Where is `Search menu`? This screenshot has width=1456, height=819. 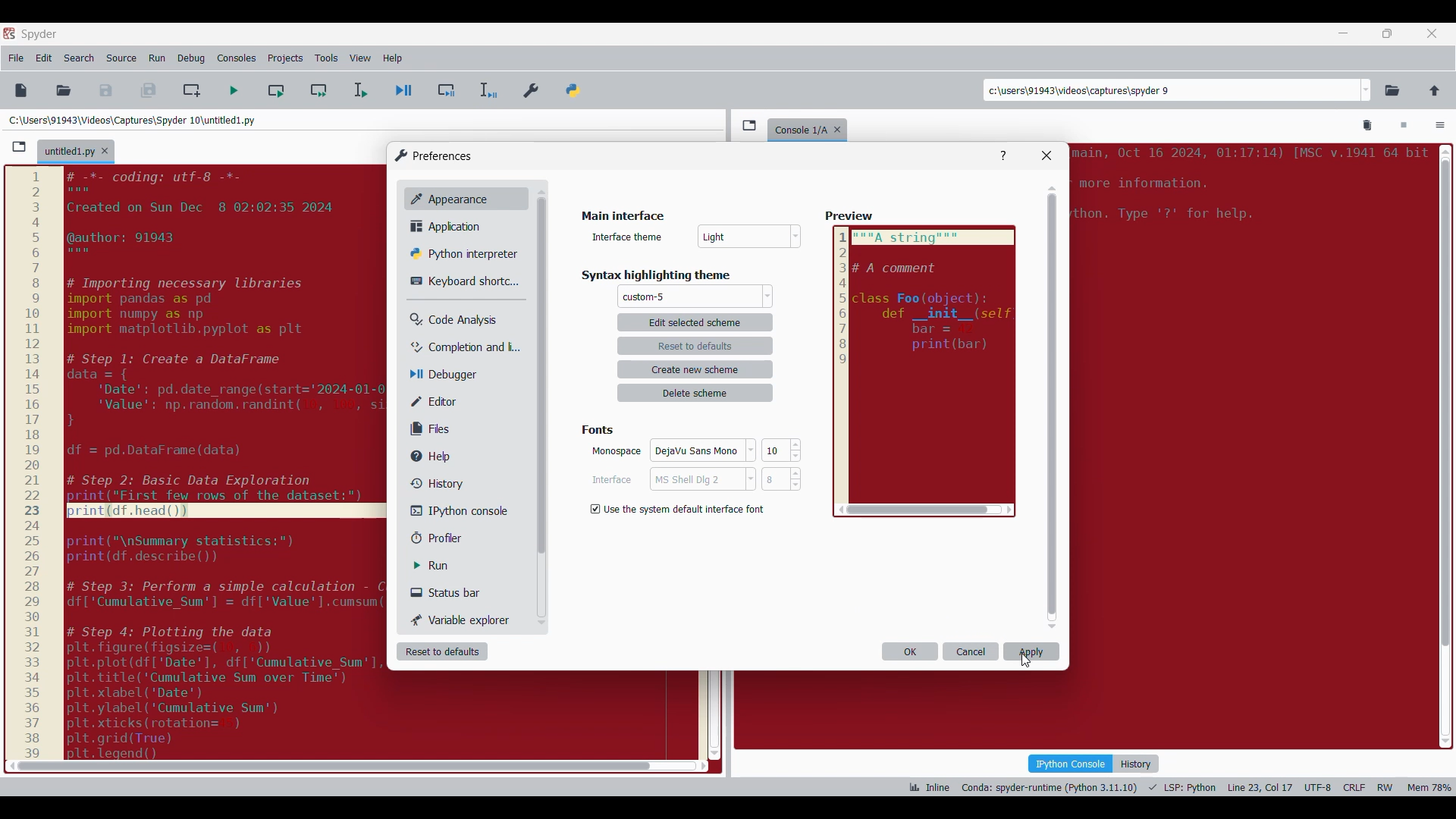 Search menu is located at coordinates (80, 58).